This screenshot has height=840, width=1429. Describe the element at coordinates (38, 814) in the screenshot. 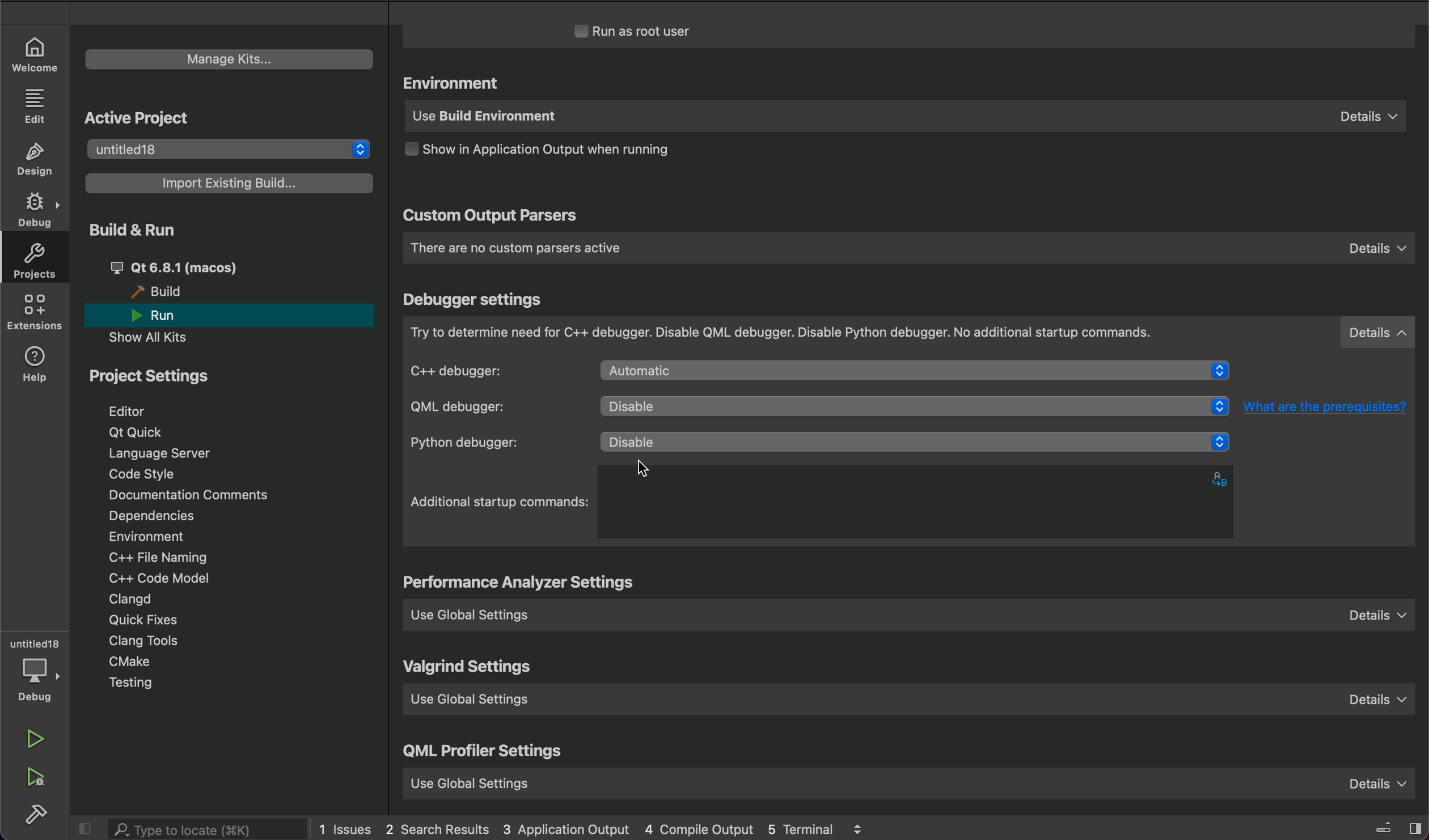

I see `build` at that location.